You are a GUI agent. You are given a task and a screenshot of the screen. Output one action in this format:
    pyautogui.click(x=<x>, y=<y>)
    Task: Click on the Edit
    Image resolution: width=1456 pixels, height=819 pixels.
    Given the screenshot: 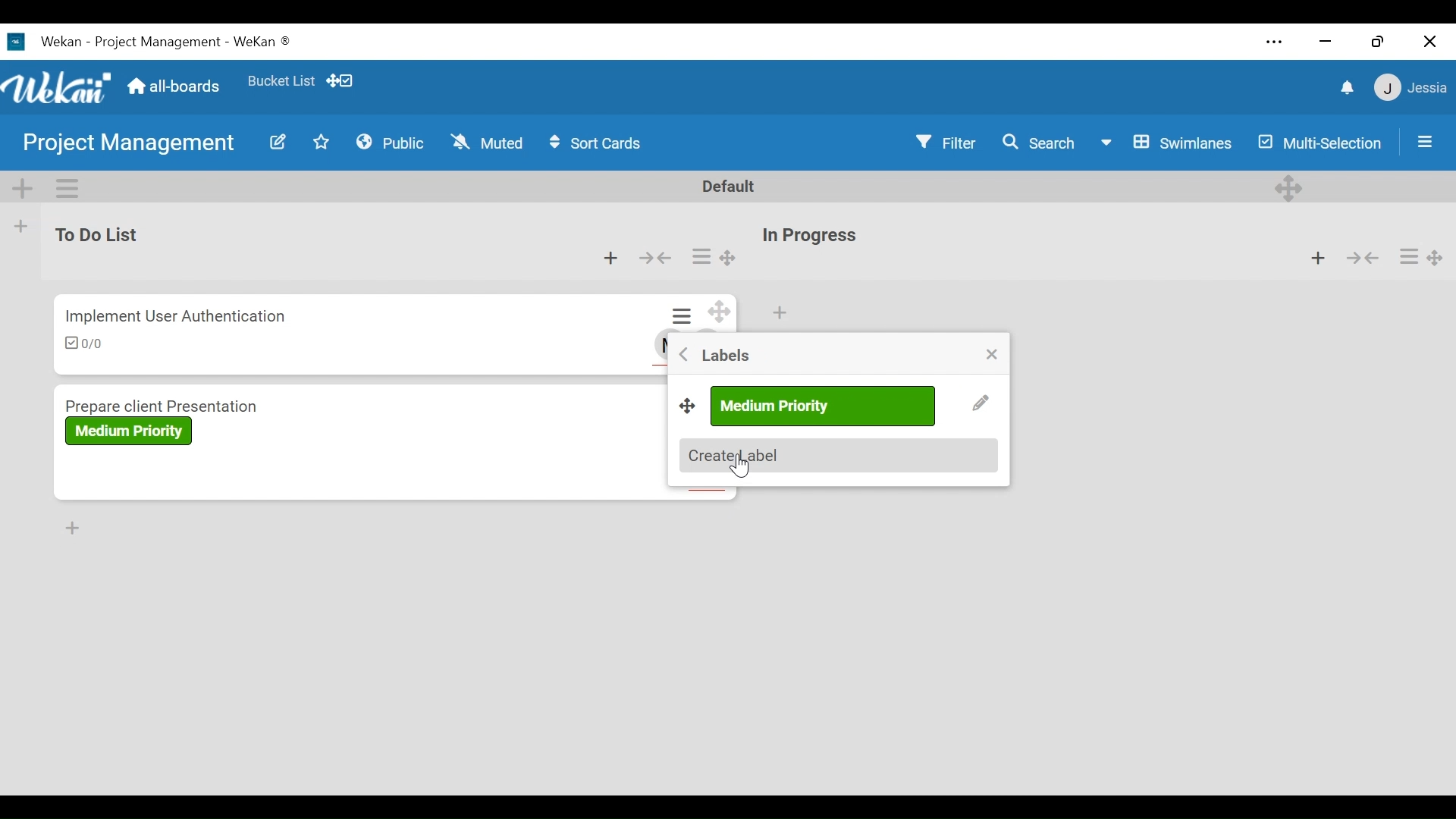 What is the action you would take?
    pyautogui.click(x=277, y=142)
    